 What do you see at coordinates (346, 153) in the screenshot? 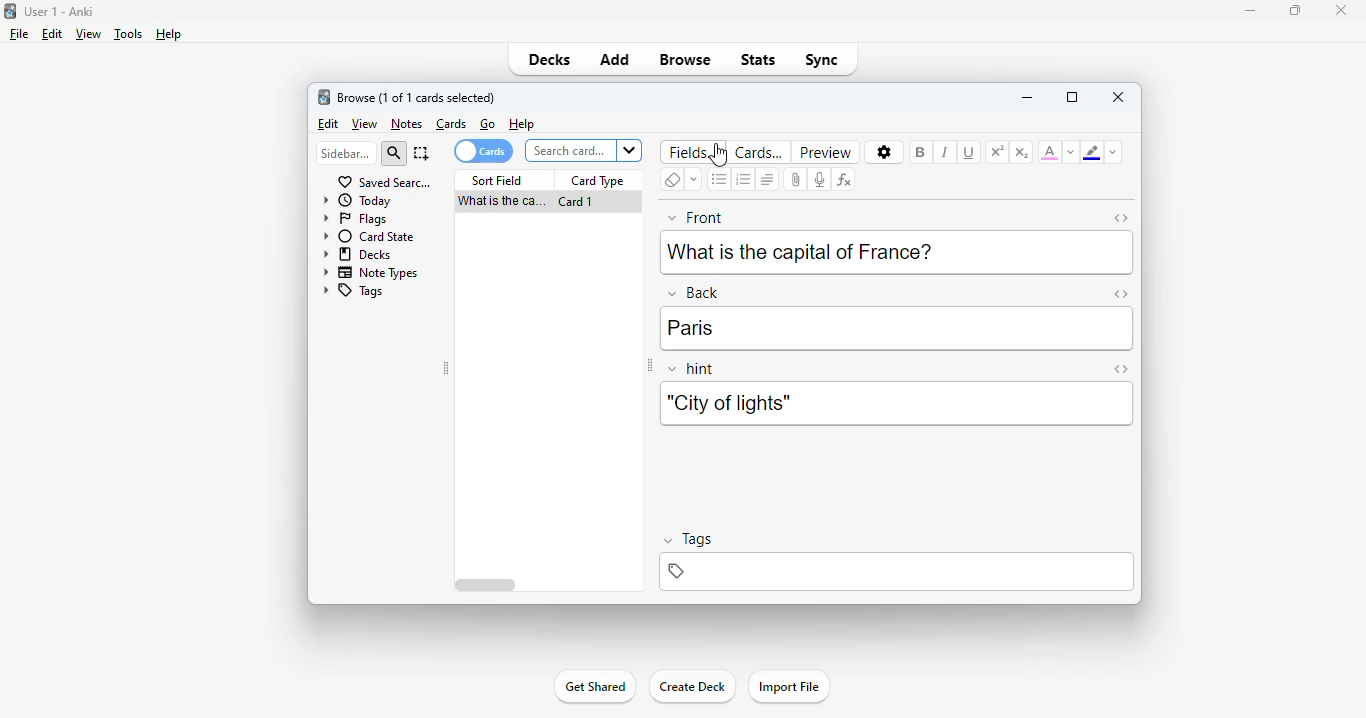
I see `sidebar filter` at bounding box center [346, 153].